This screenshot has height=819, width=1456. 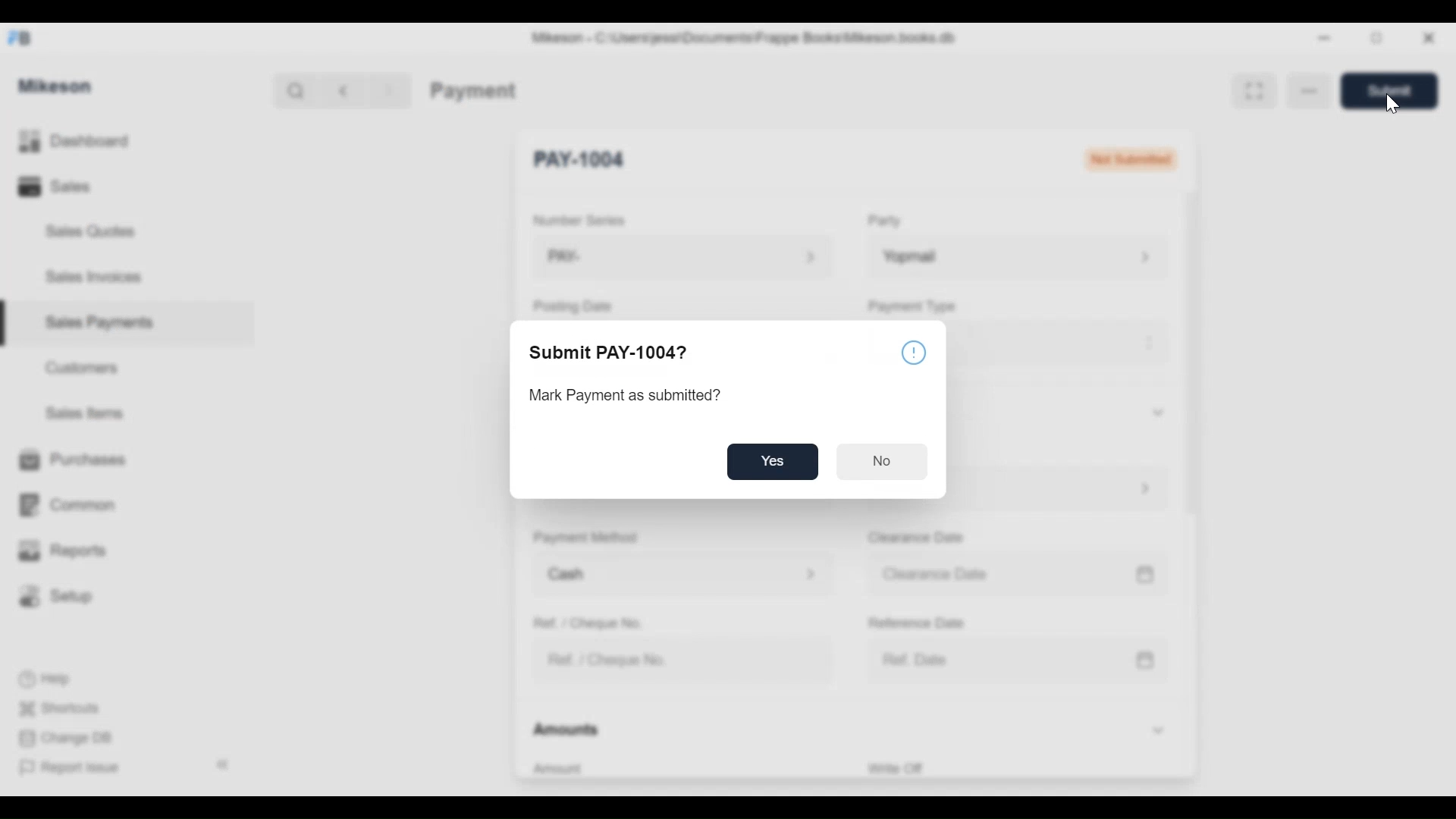 I want to click on Purchases, so click(x=72, y=460).